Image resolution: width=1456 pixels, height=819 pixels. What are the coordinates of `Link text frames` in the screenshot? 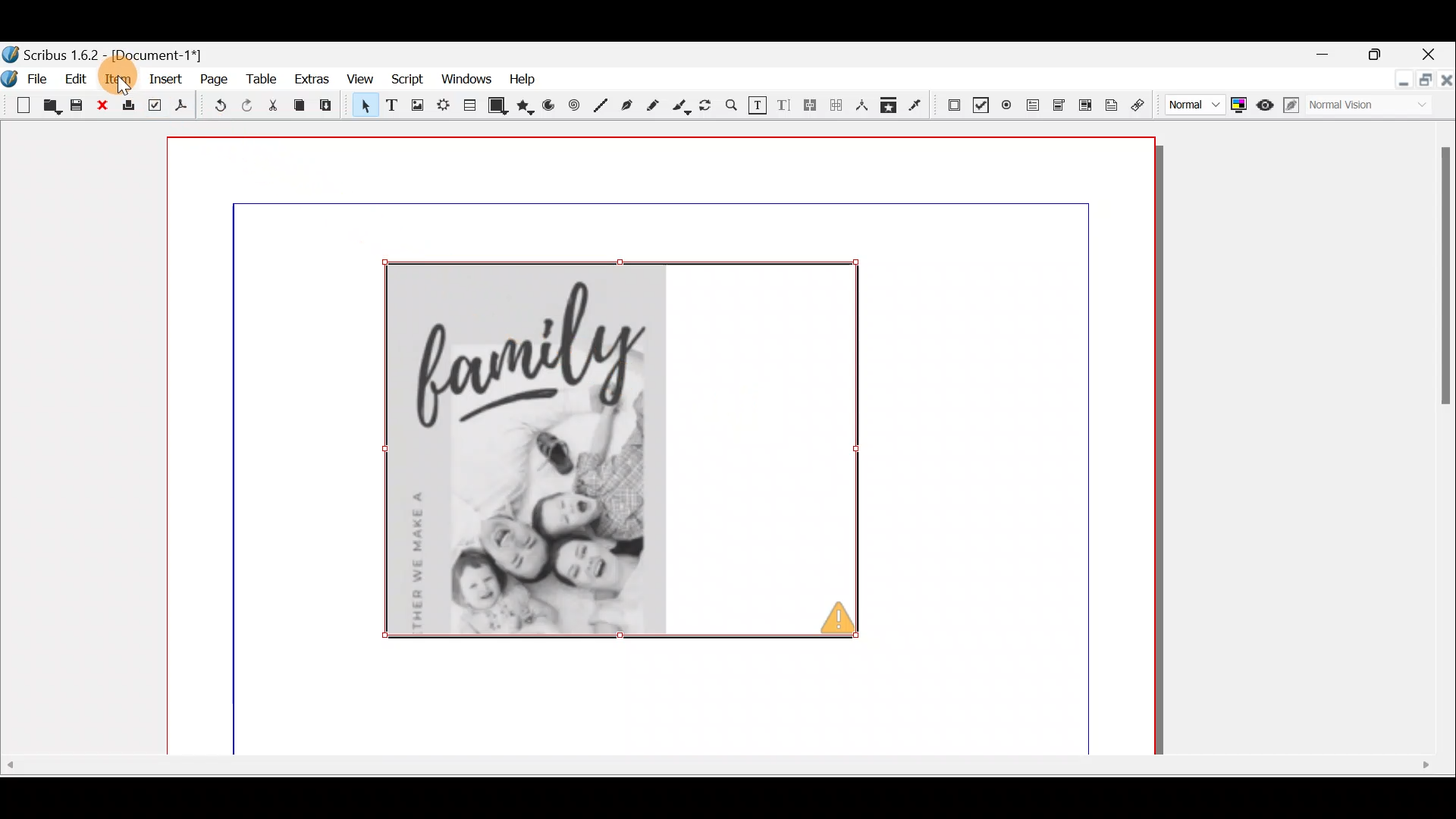 It's located at (811, 108).